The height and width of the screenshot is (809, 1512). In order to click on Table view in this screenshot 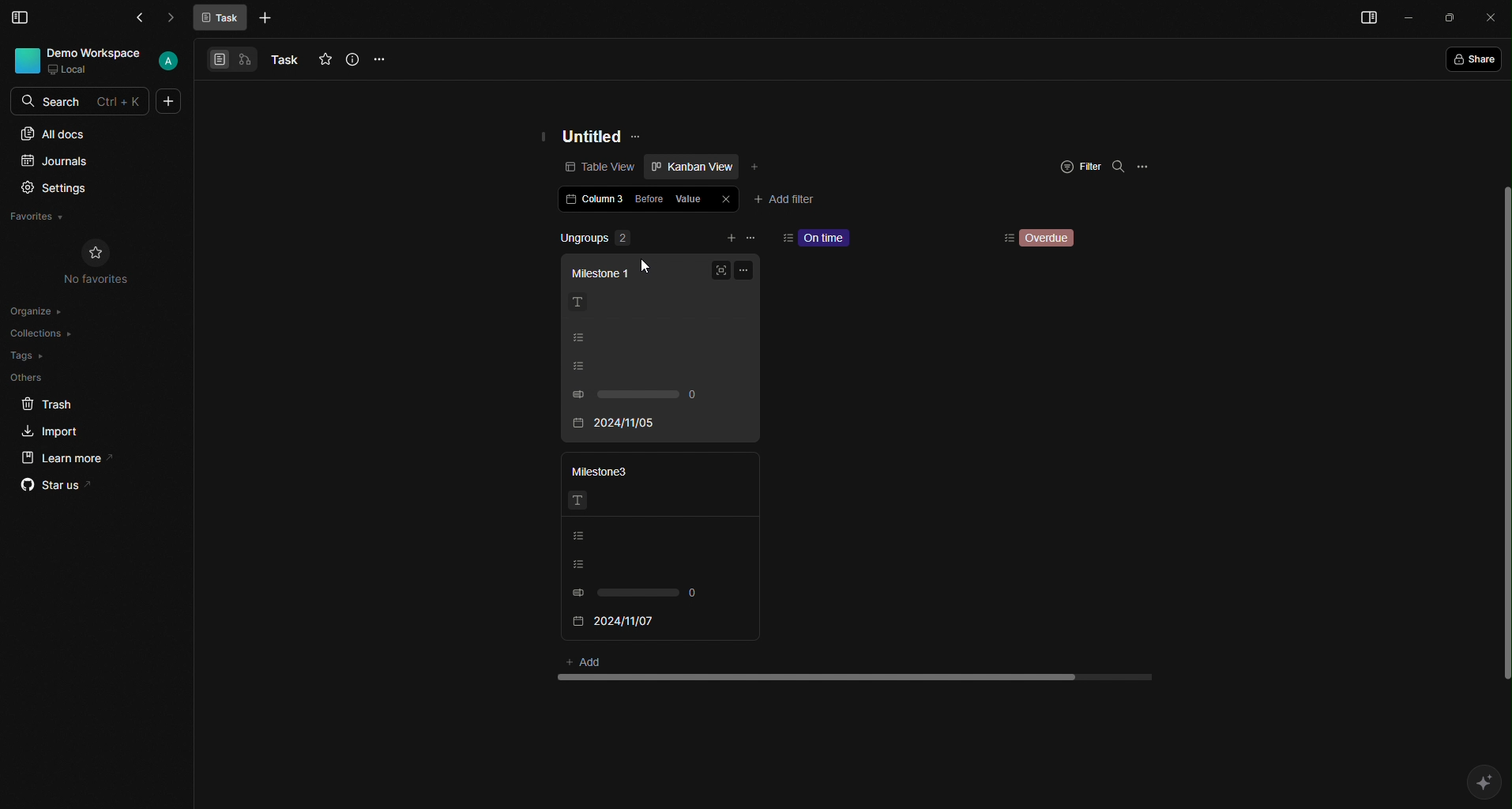, I will do `click(579, 167)`.